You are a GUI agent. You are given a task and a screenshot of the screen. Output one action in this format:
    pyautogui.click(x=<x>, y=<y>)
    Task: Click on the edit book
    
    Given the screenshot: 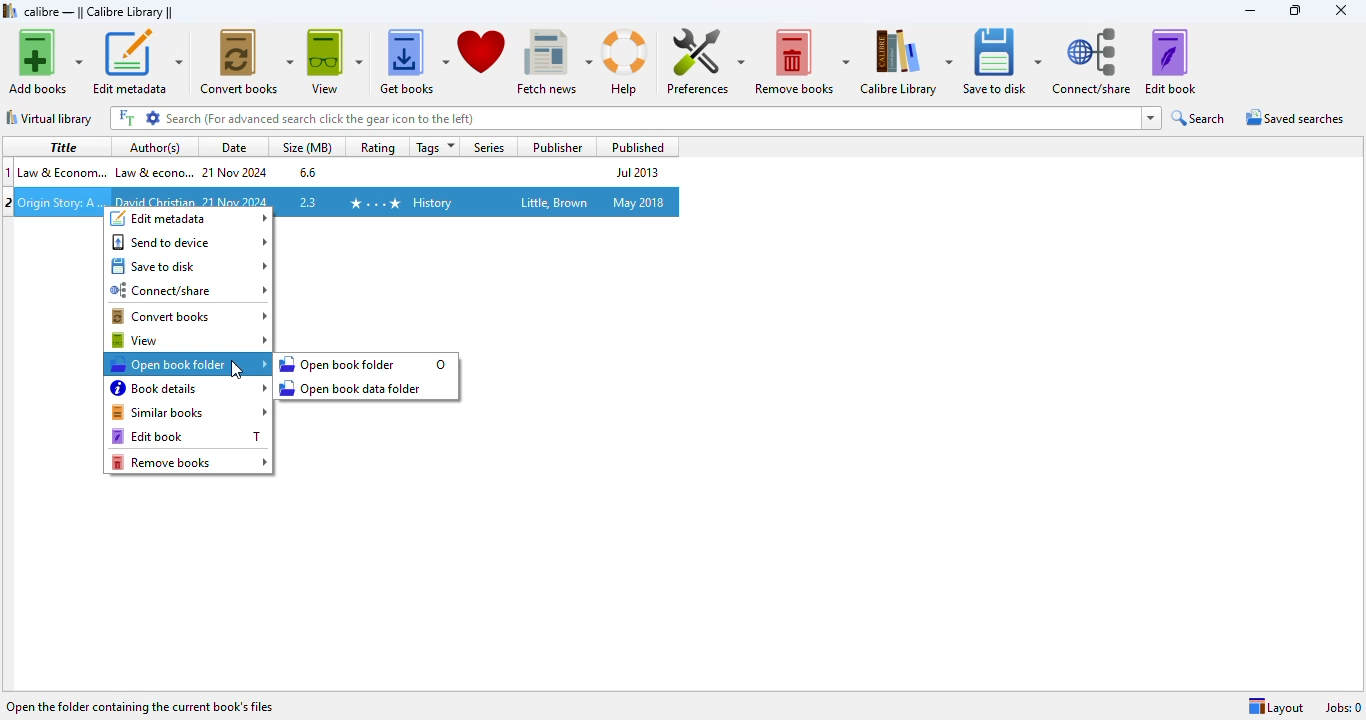 What is the action you would take?
    pyautogui.click(x=1170, y=62)
    